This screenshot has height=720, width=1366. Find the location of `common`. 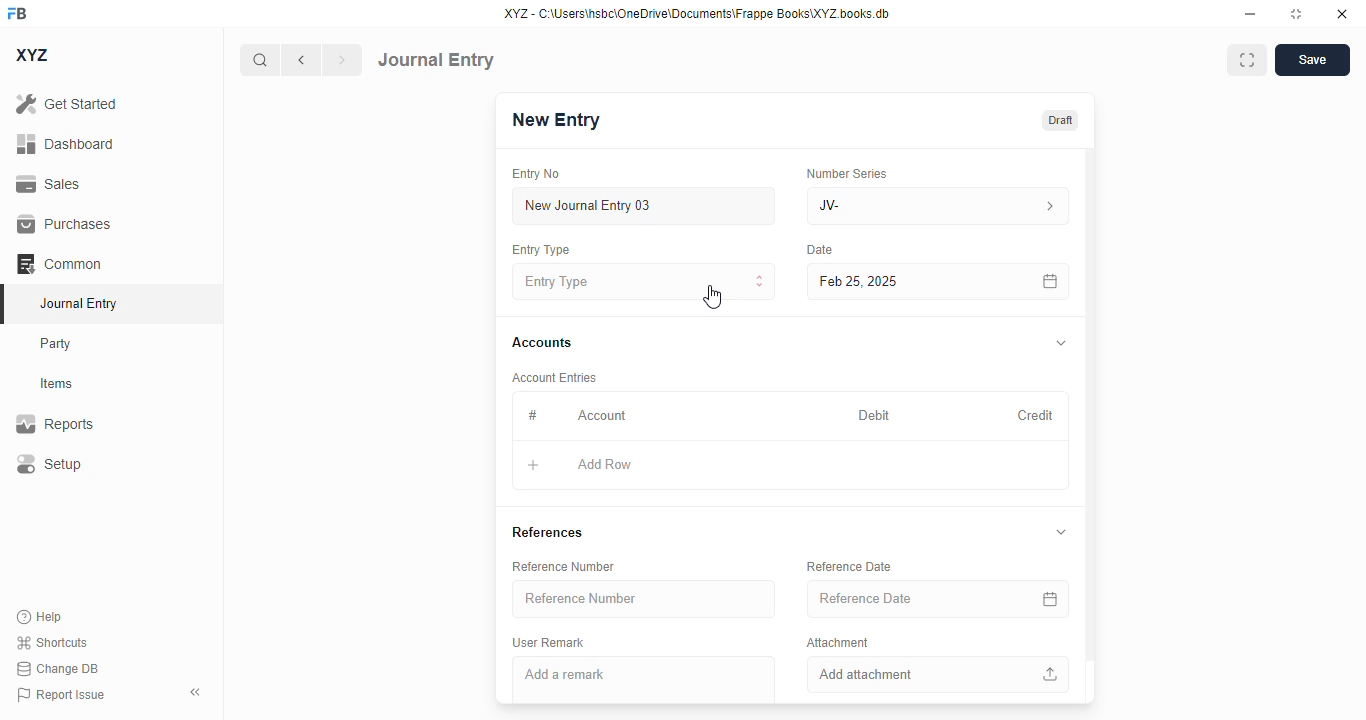

common is located at coordinates (59, 264).